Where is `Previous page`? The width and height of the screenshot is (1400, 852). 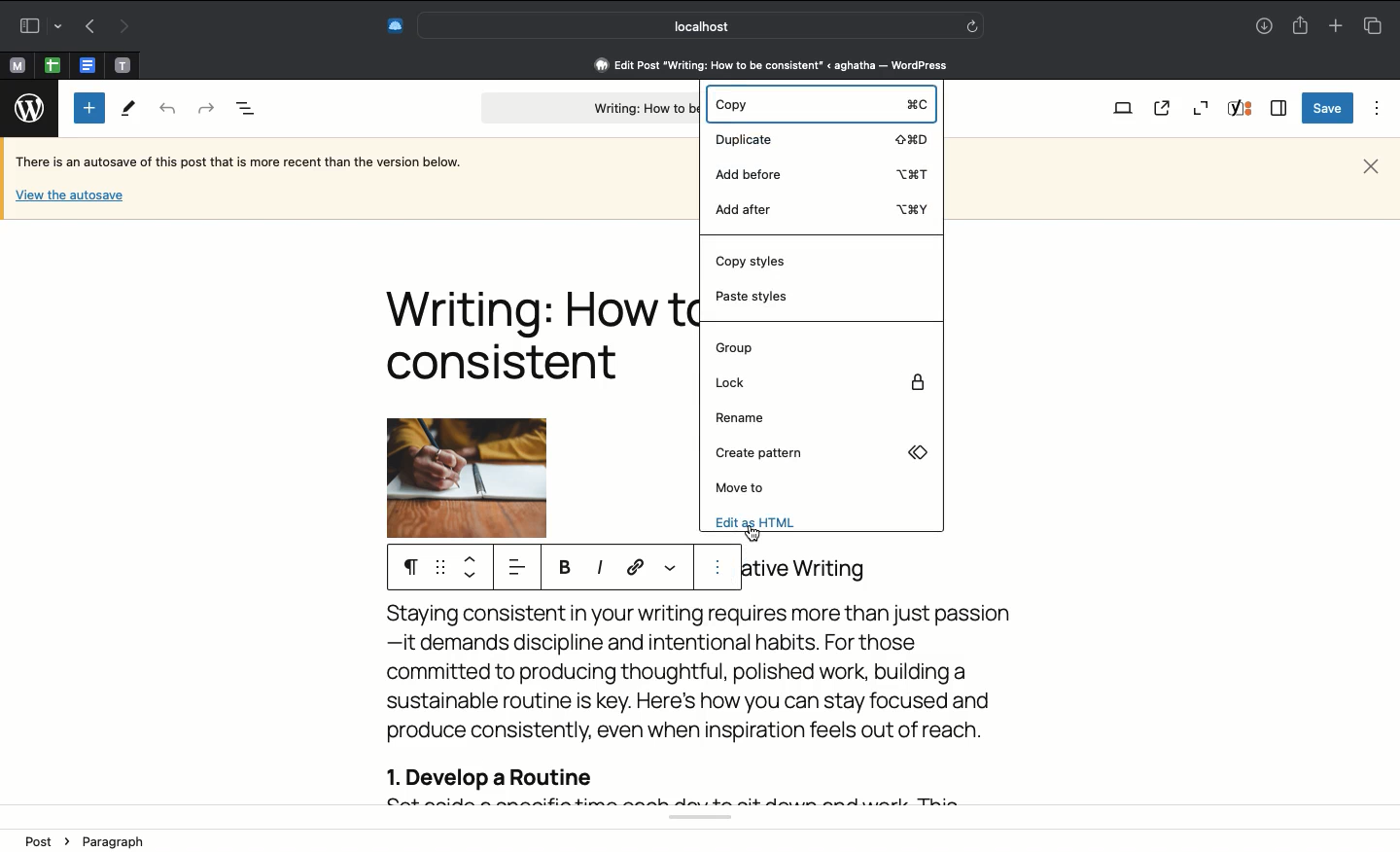 Previous page is located at coordinates (87, 27).